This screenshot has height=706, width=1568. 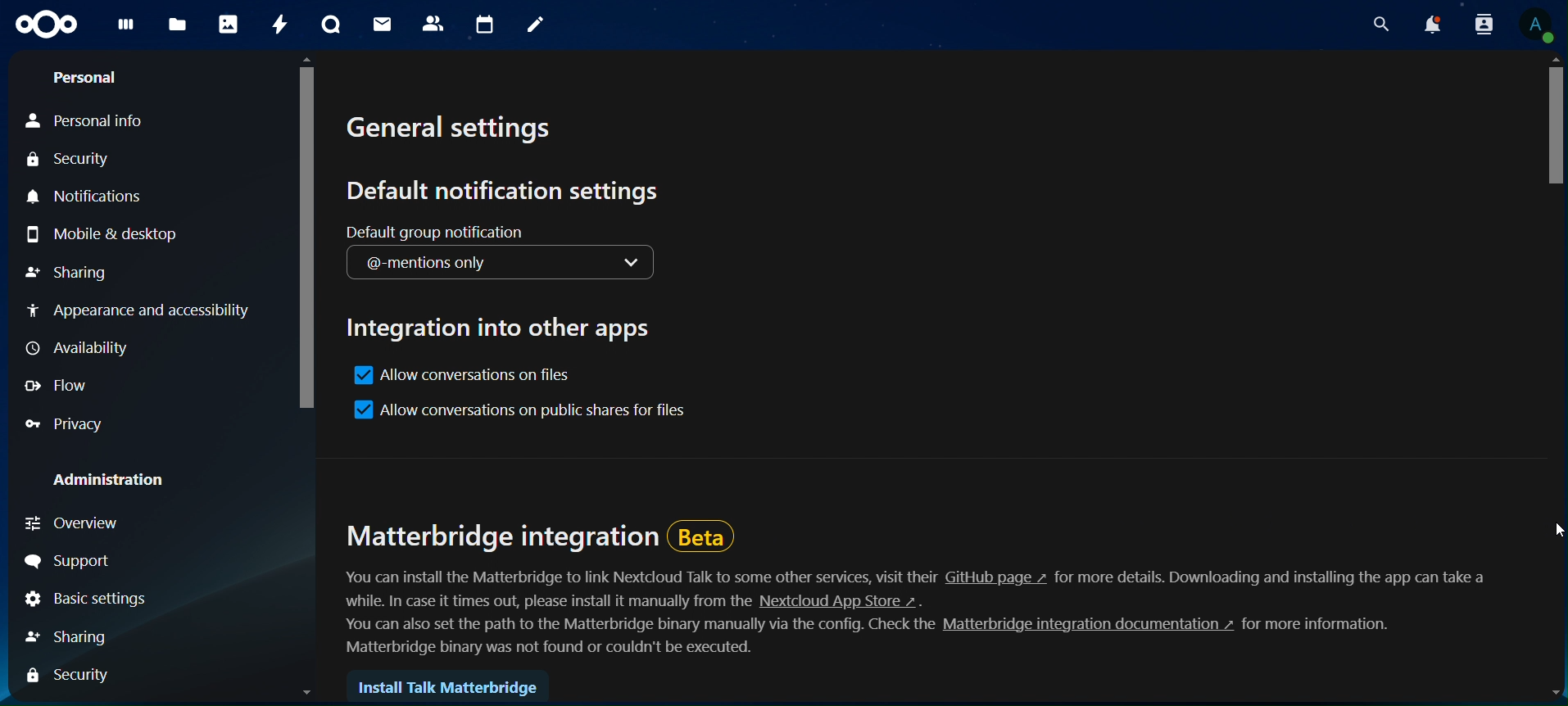 I want to click on notifications, so click(x=1433, y=25).